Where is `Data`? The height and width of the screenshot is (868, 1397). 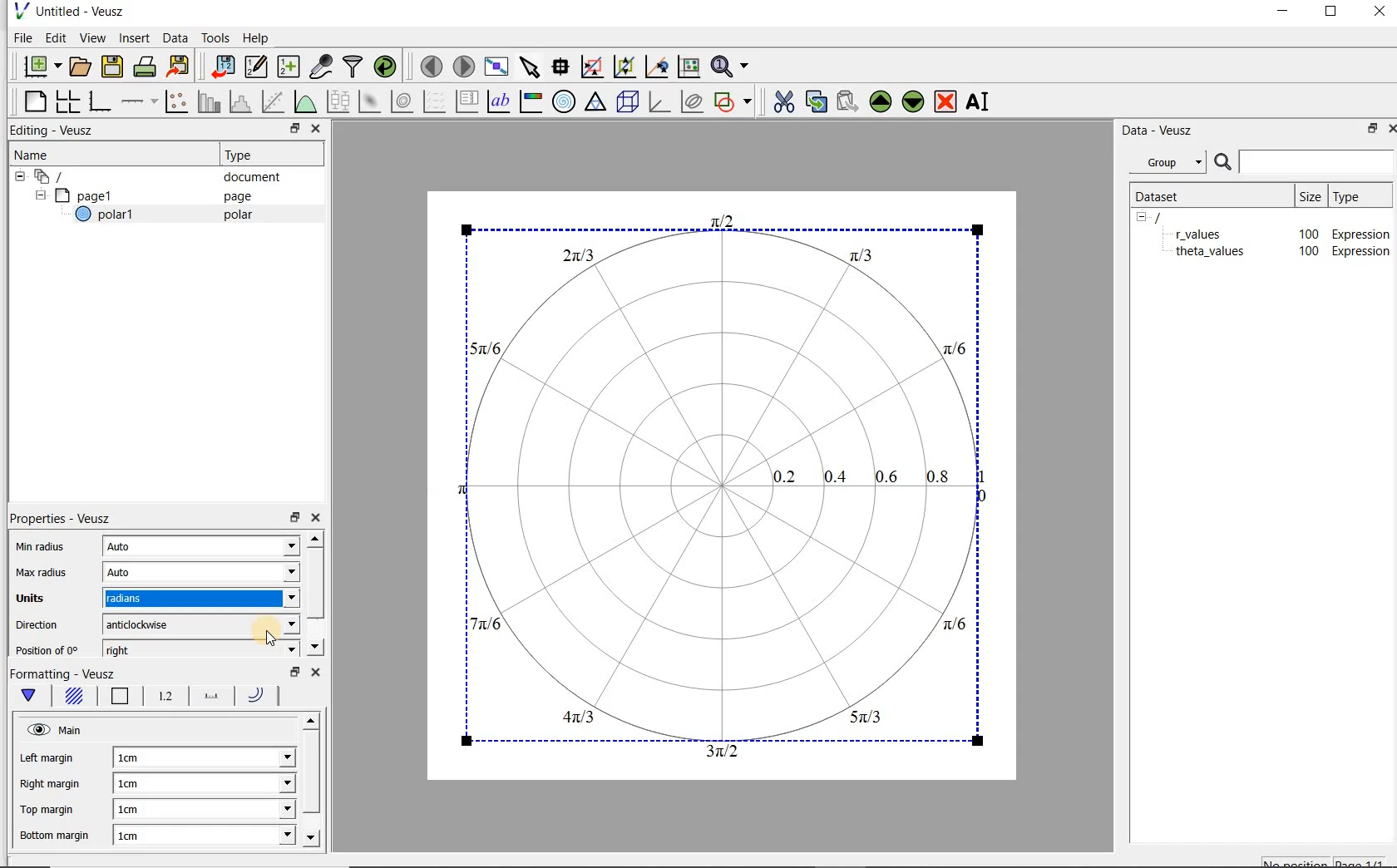
Data is located at coordinates (176, 37).